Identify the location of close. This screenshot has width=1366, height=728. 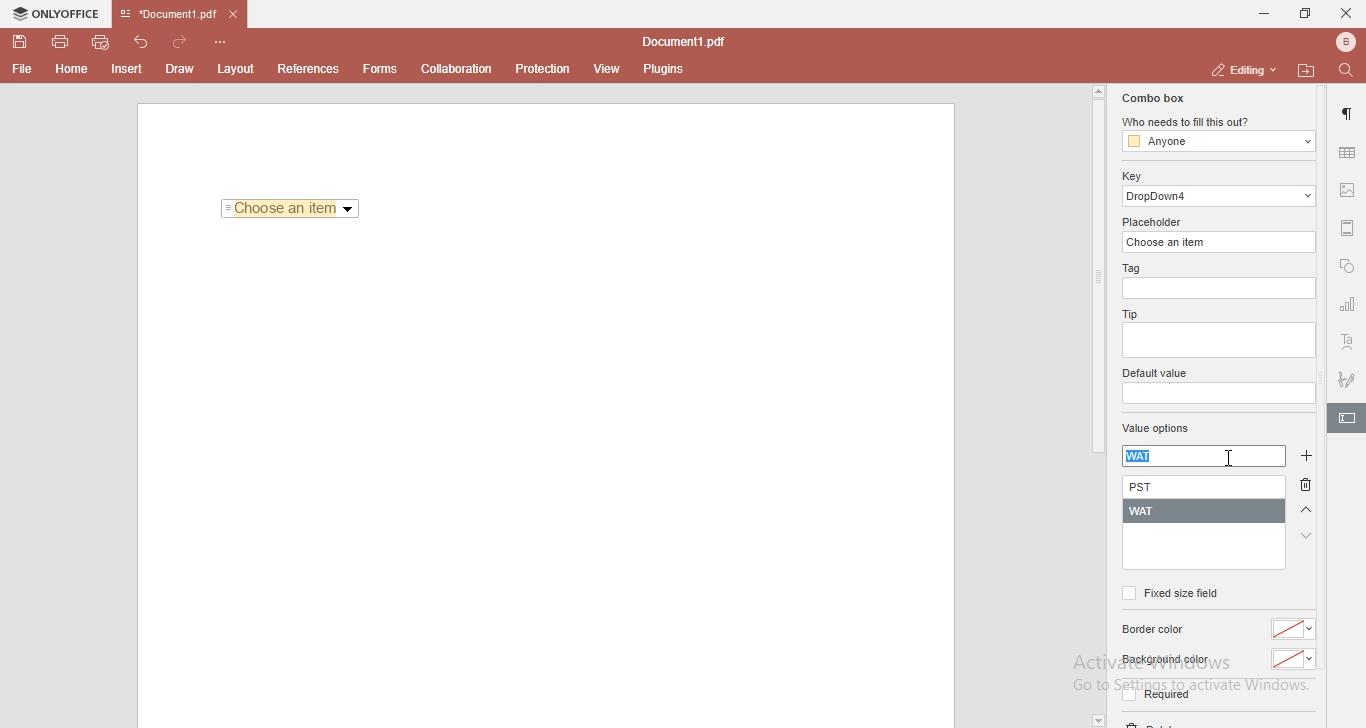
(1346, 12).